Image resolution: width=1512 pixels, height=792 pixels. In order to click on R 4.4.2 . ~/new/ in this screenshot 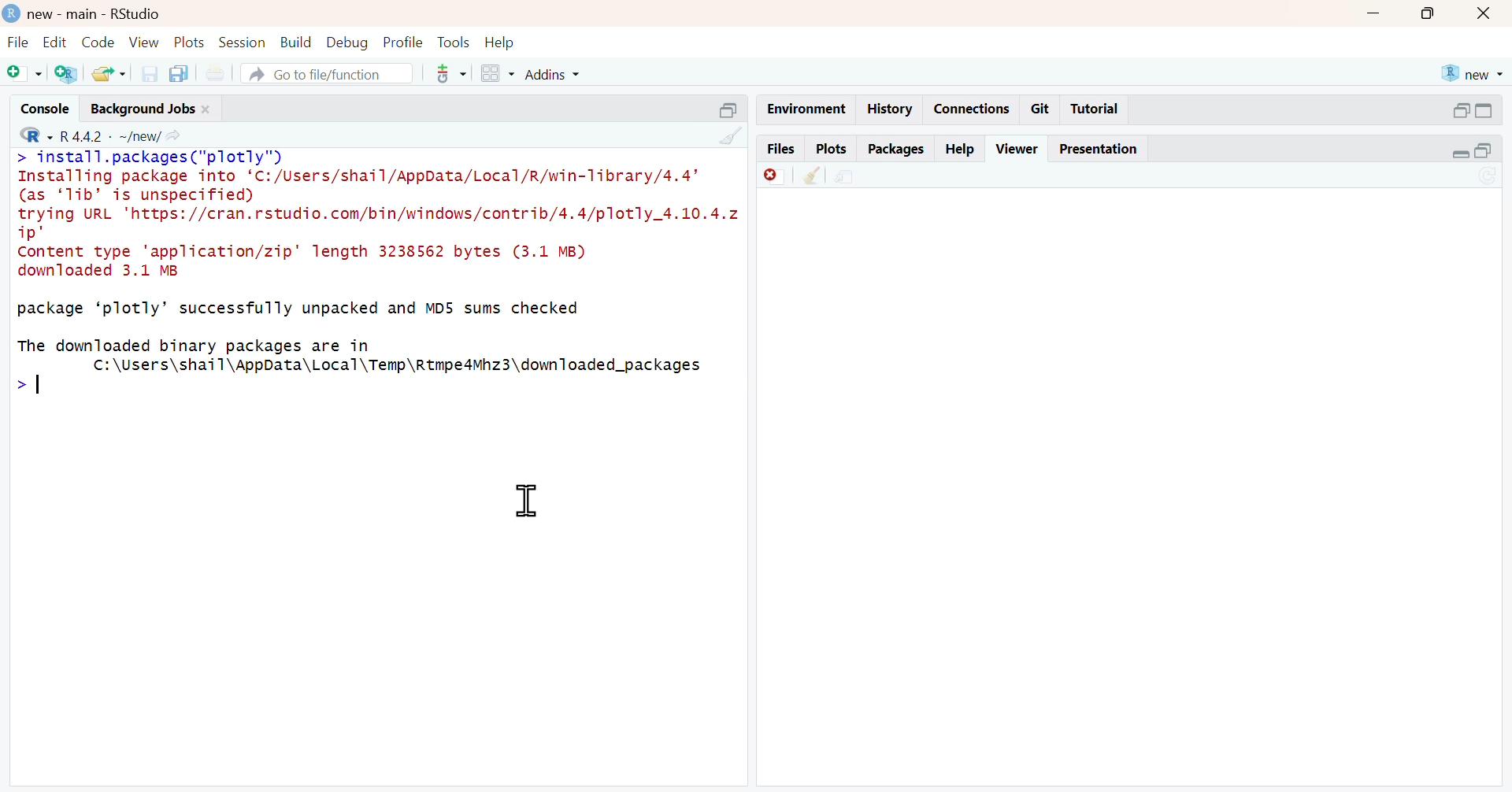, I will do `click(111, 134)`.